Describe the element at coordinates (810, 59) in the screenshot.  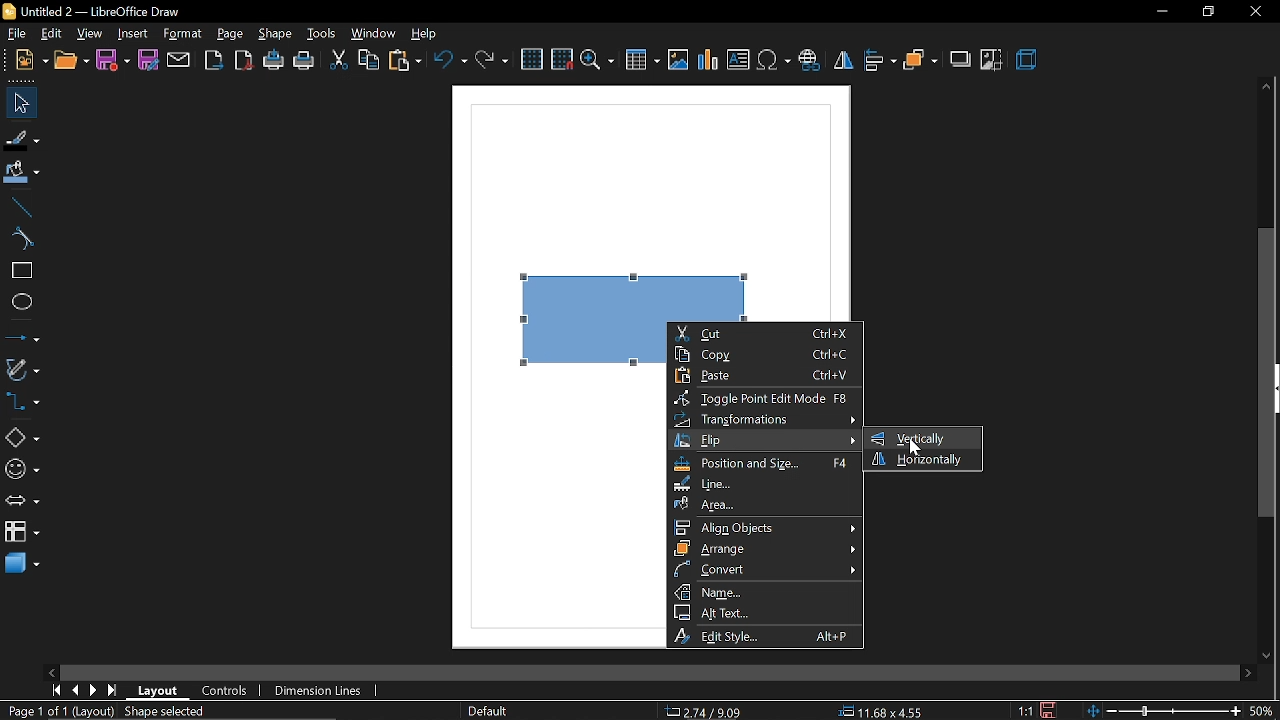
I see `insert hyperlink` at that location.